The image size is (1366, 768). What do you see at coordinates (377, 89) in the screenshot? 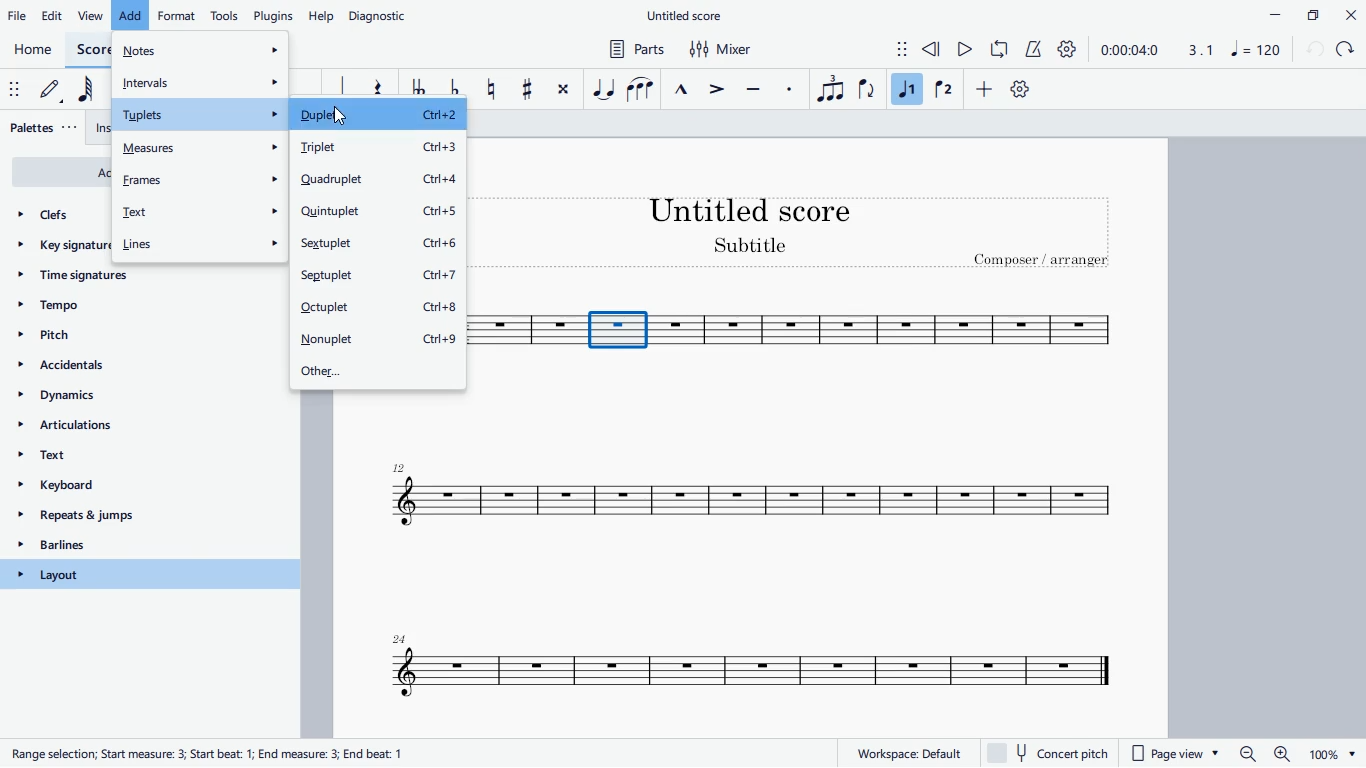
I see `rest` at bounding box center [377, 89].